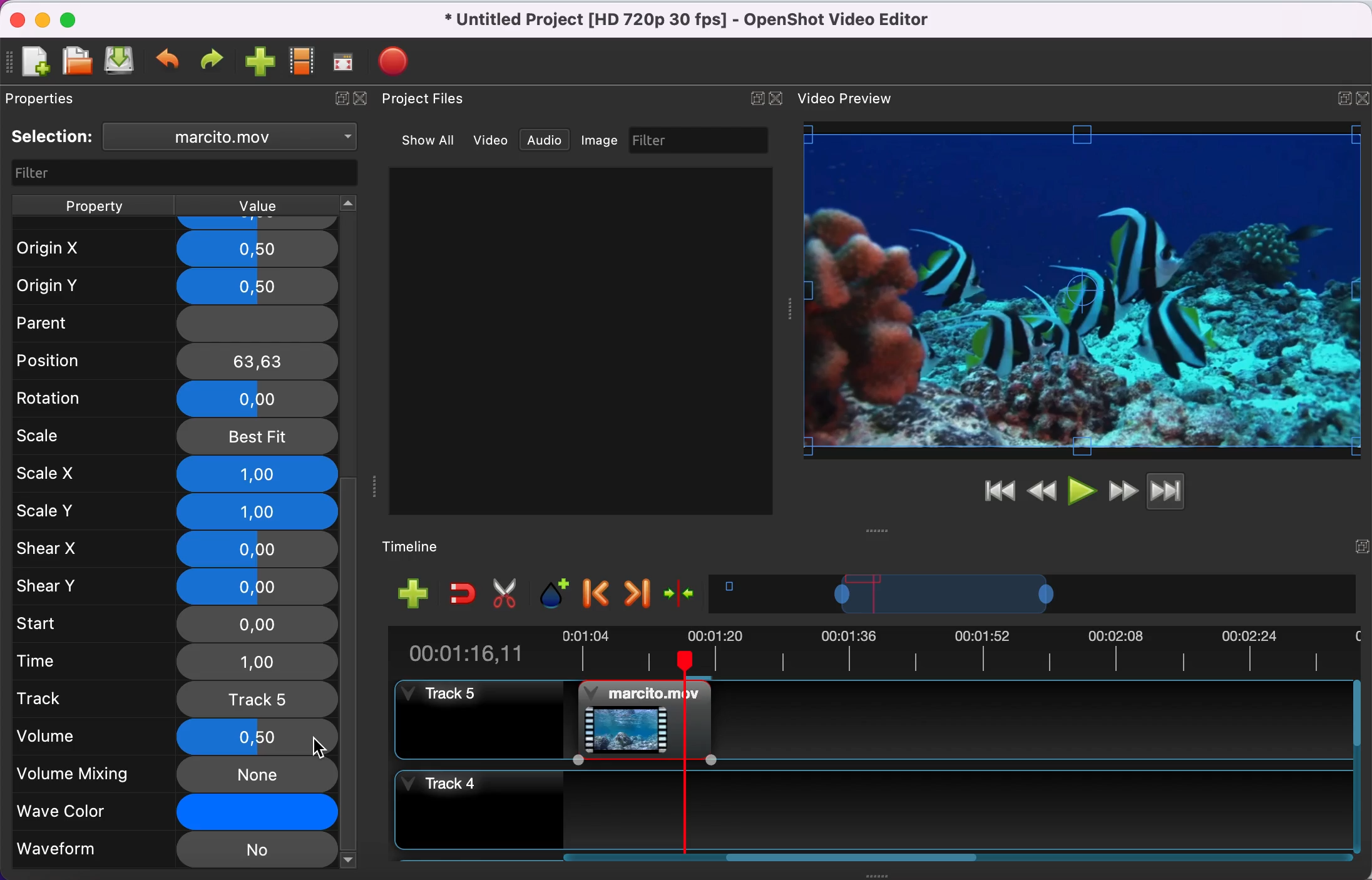 Image resolution: width=1372 pixels, height=880 pixels. I want to click on track 5, so click(478, 717).